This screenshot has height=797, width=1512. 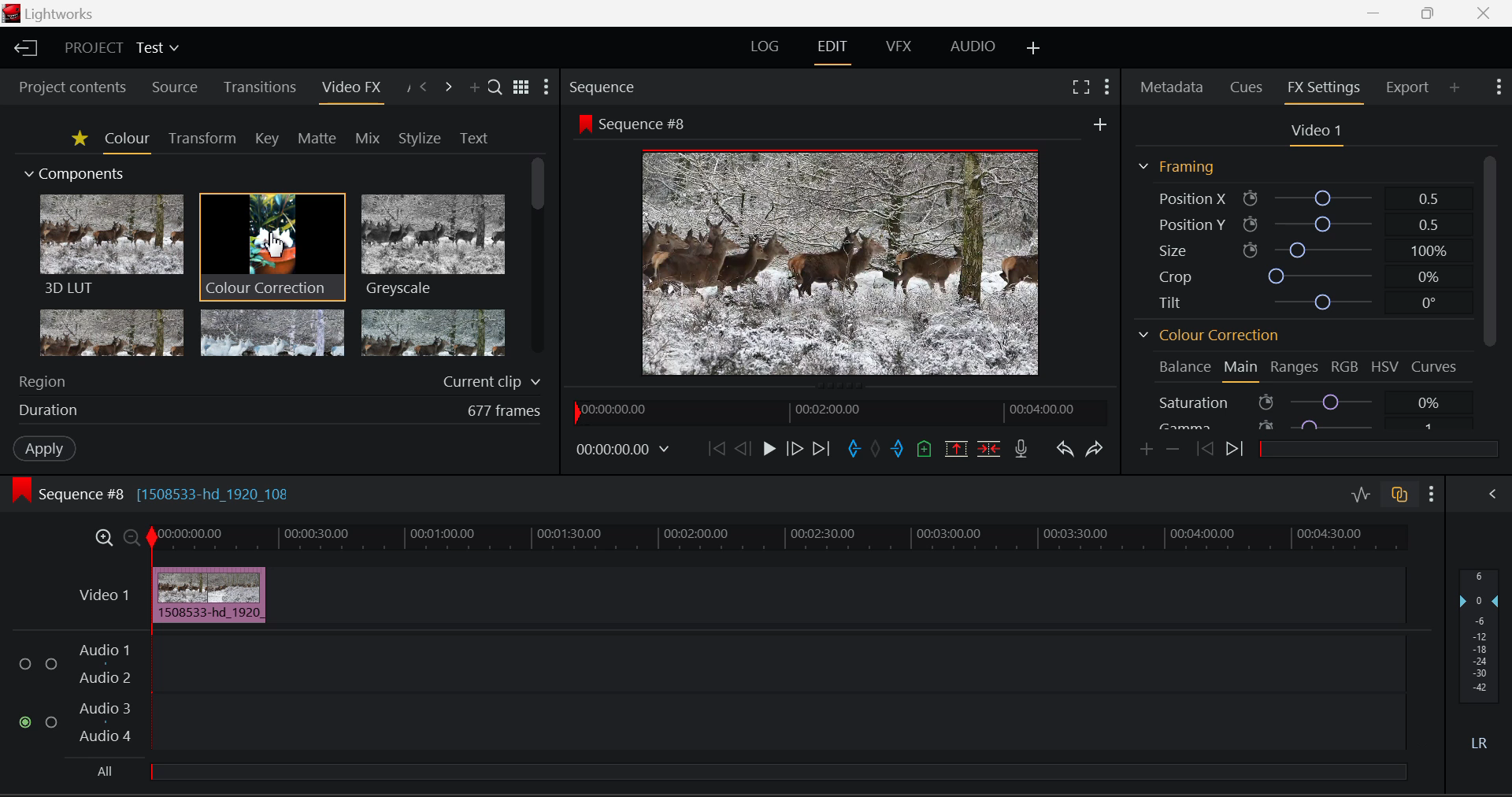 I want to click on Previous keyframe, so click(x=1204, y=450).